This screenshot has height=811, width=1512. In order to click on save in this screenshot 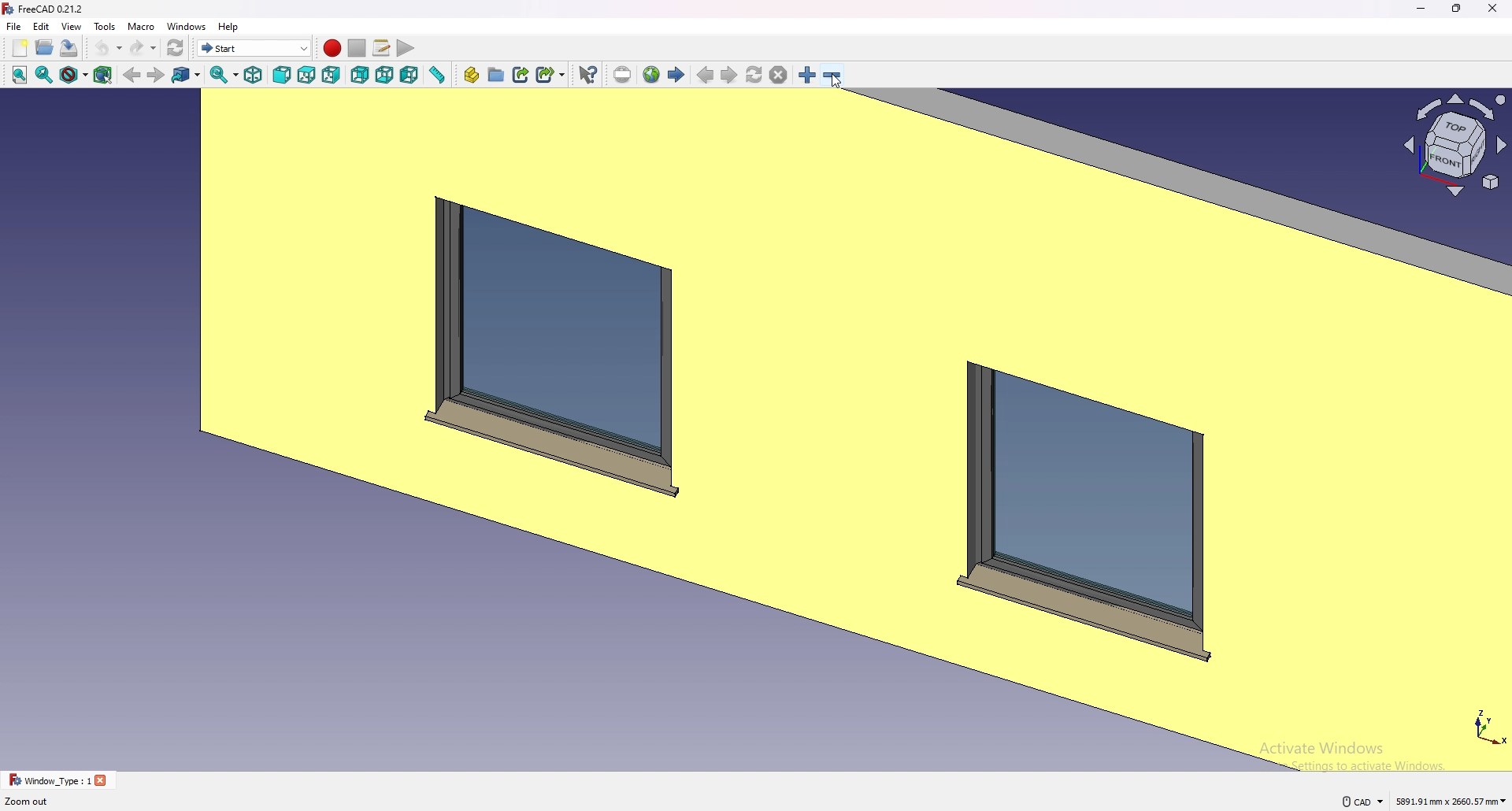, I will do `click(69, 48)`.